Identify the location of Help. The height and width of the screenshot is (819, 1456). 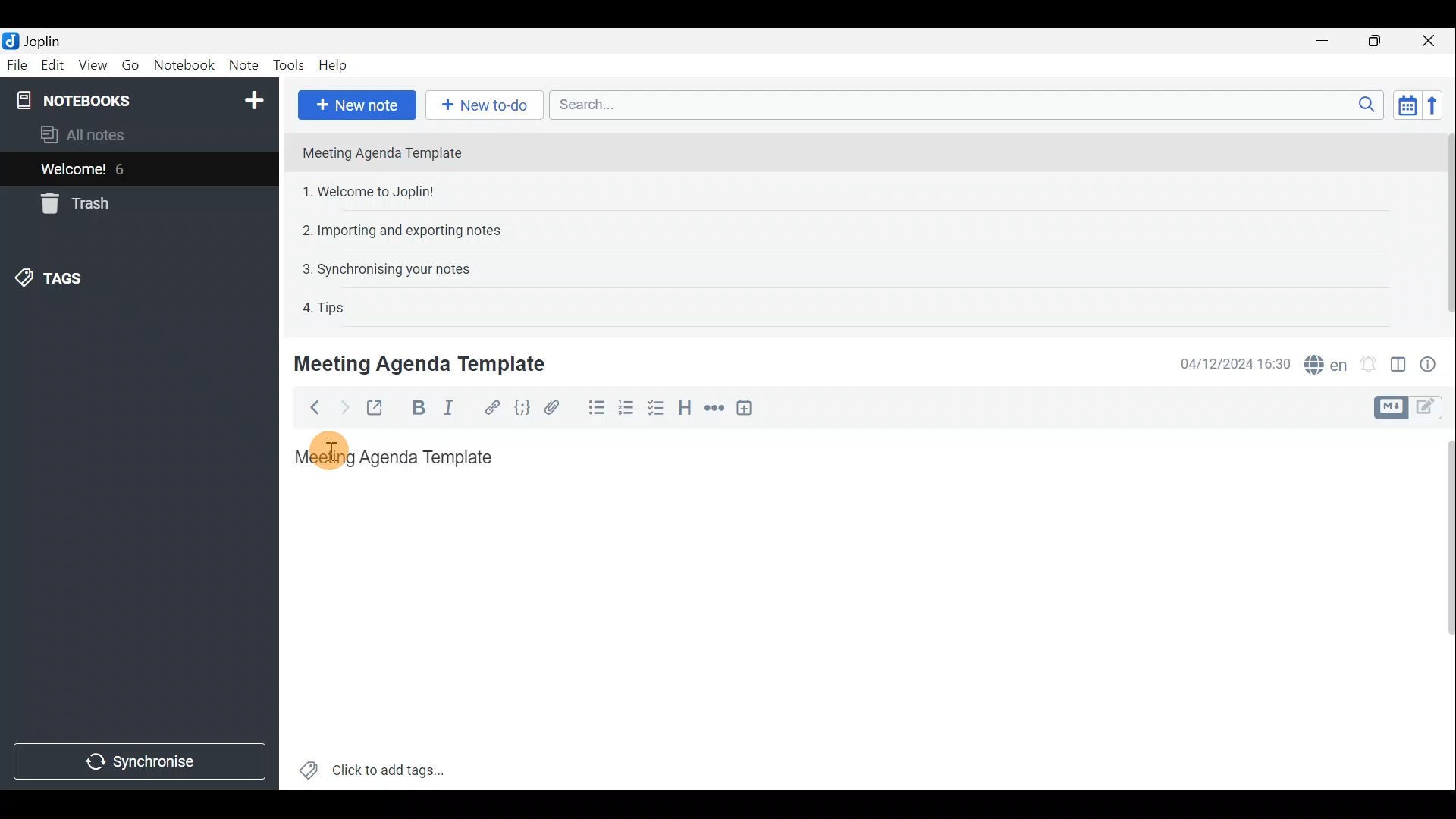
(336, 65).